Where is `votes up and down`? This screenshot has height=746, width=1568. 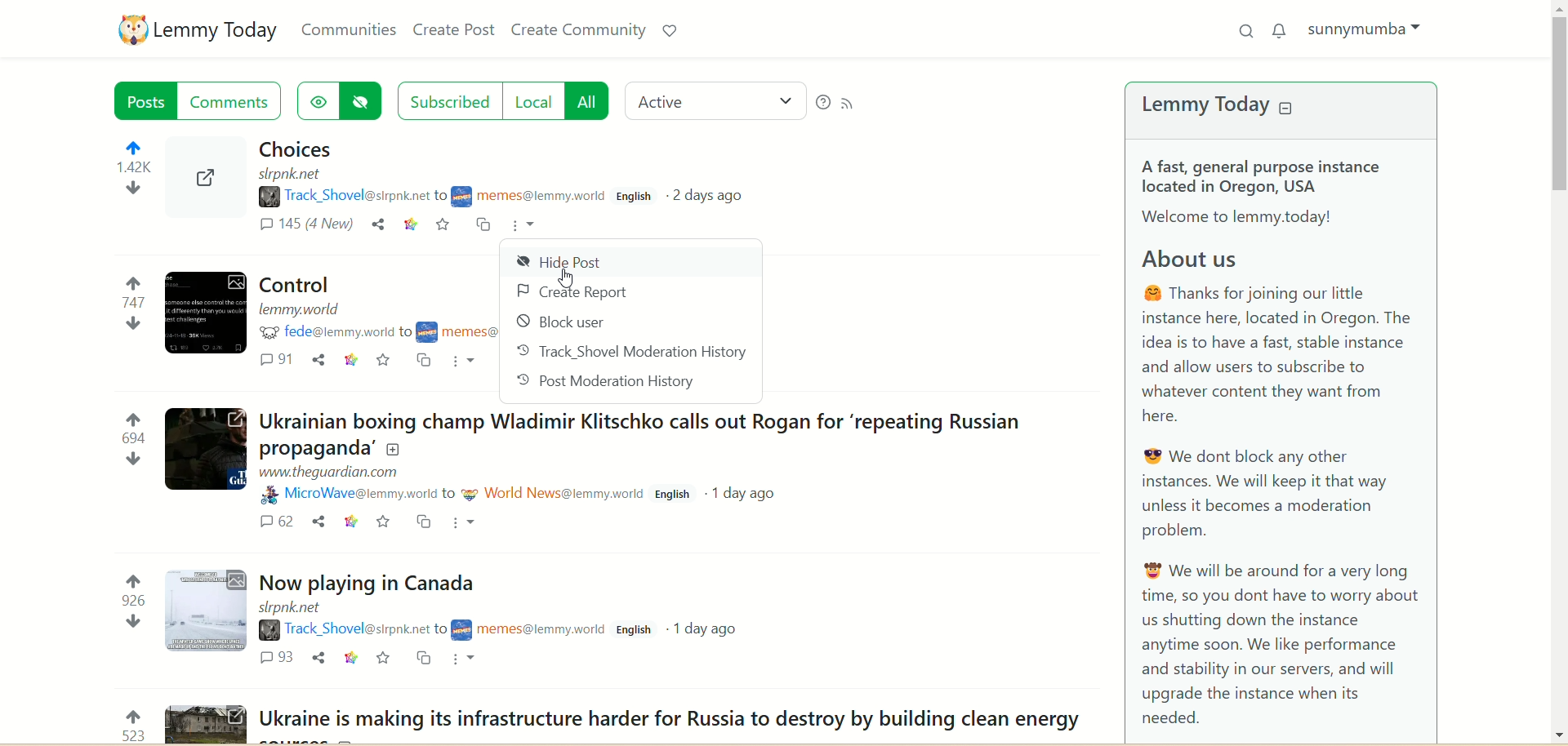
votes up and down is located at coordinates (115, 306).